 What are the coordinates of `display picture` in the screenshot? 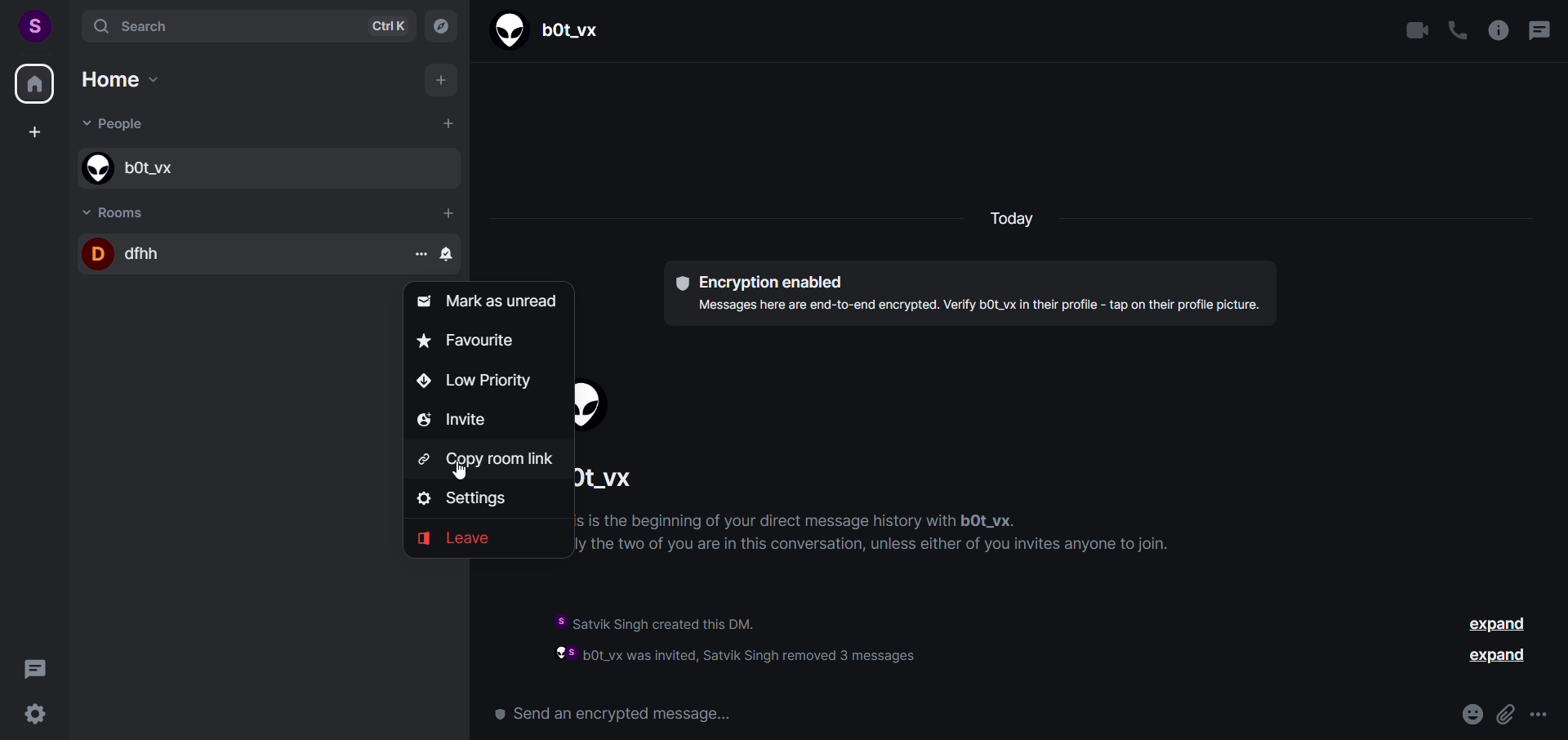 It's located at (599, 407).